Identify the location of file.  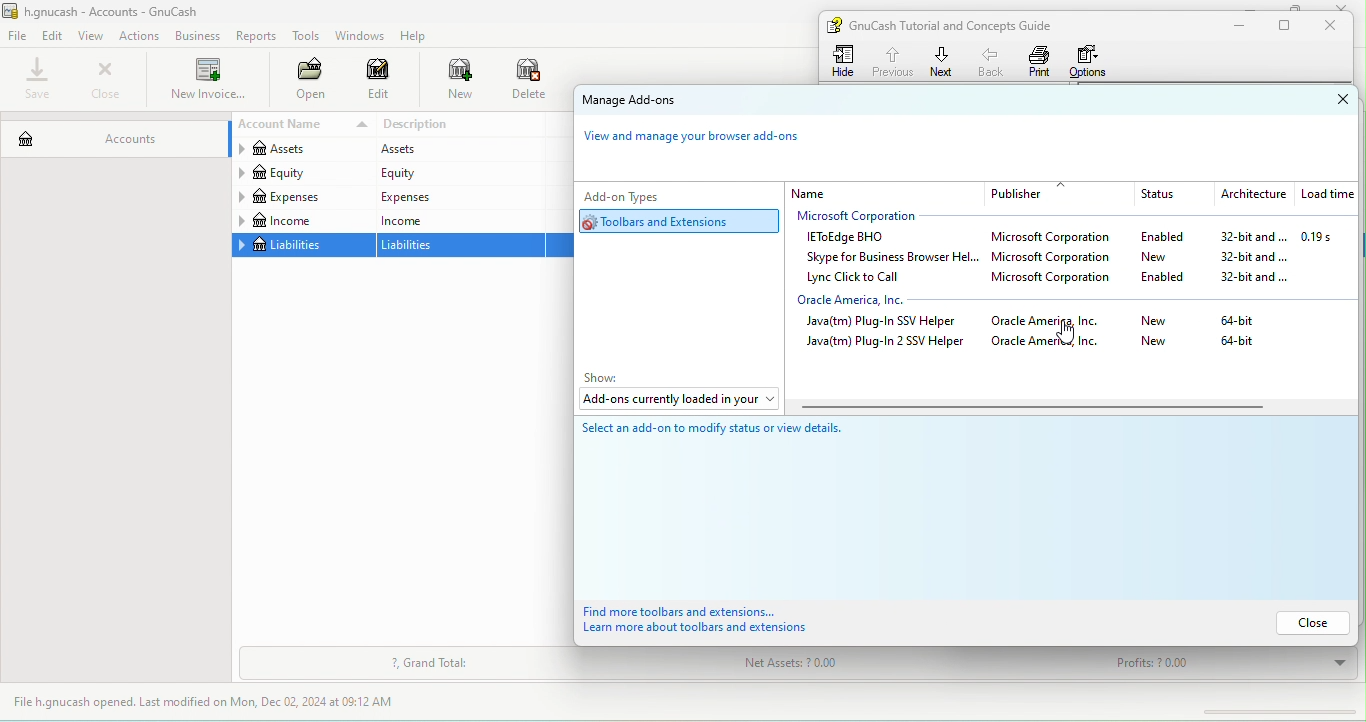
(18, 37).